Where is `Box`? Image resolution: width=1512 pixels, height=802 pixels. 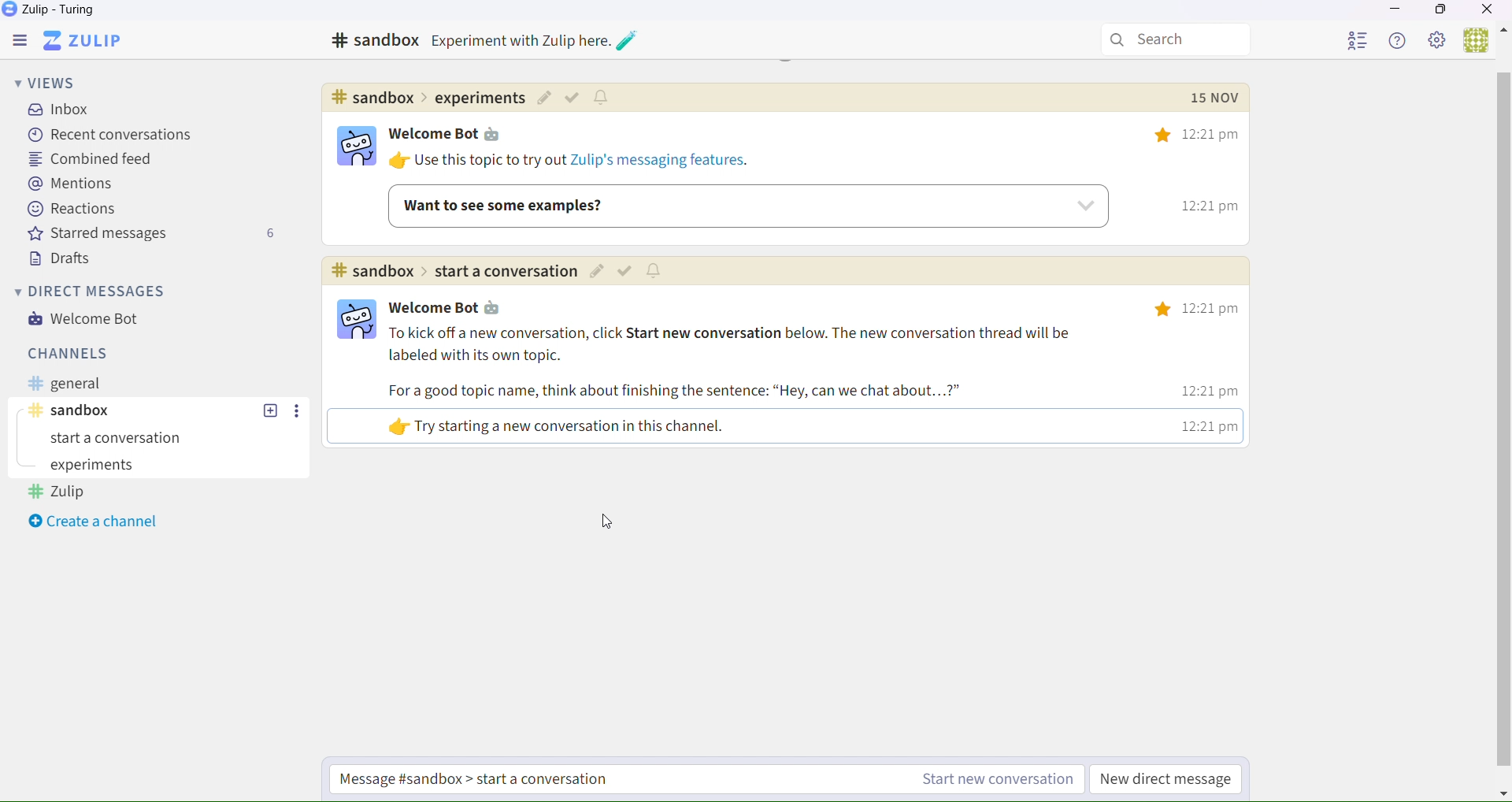 Box is located at coordinates (1442, 13).